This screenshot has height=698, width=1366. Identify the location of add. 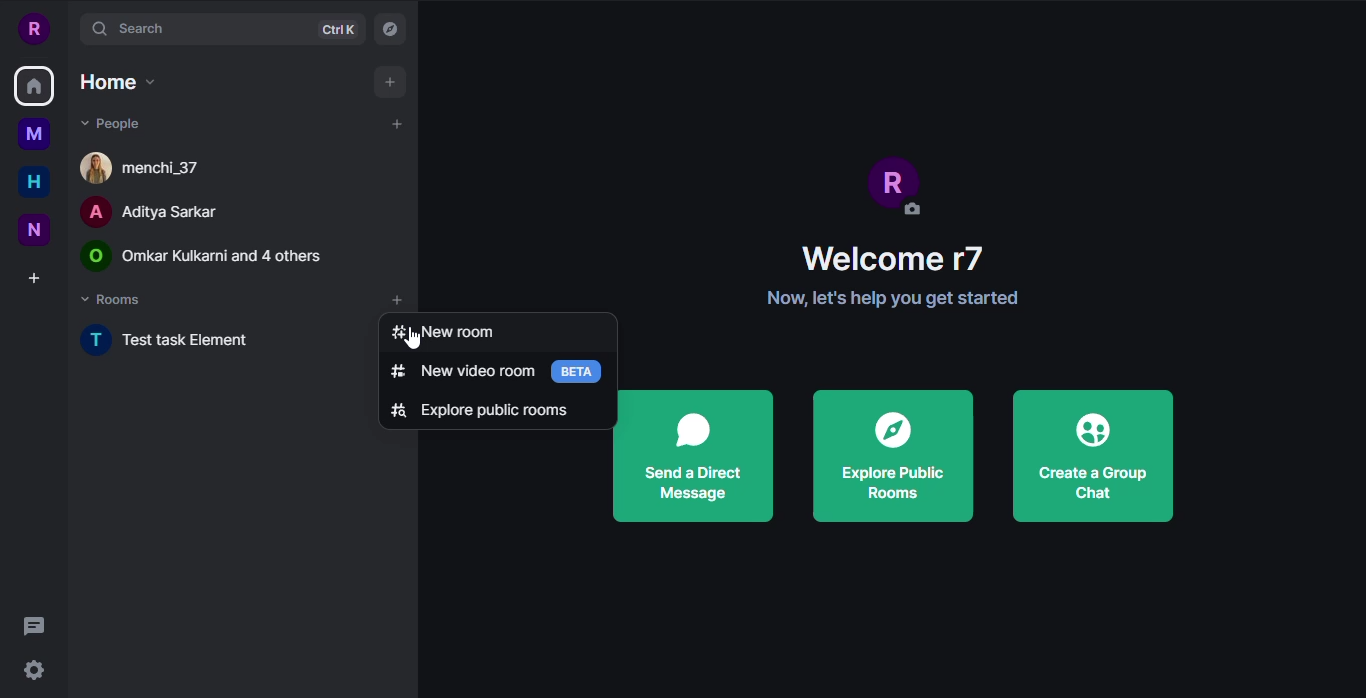
(396, 124).